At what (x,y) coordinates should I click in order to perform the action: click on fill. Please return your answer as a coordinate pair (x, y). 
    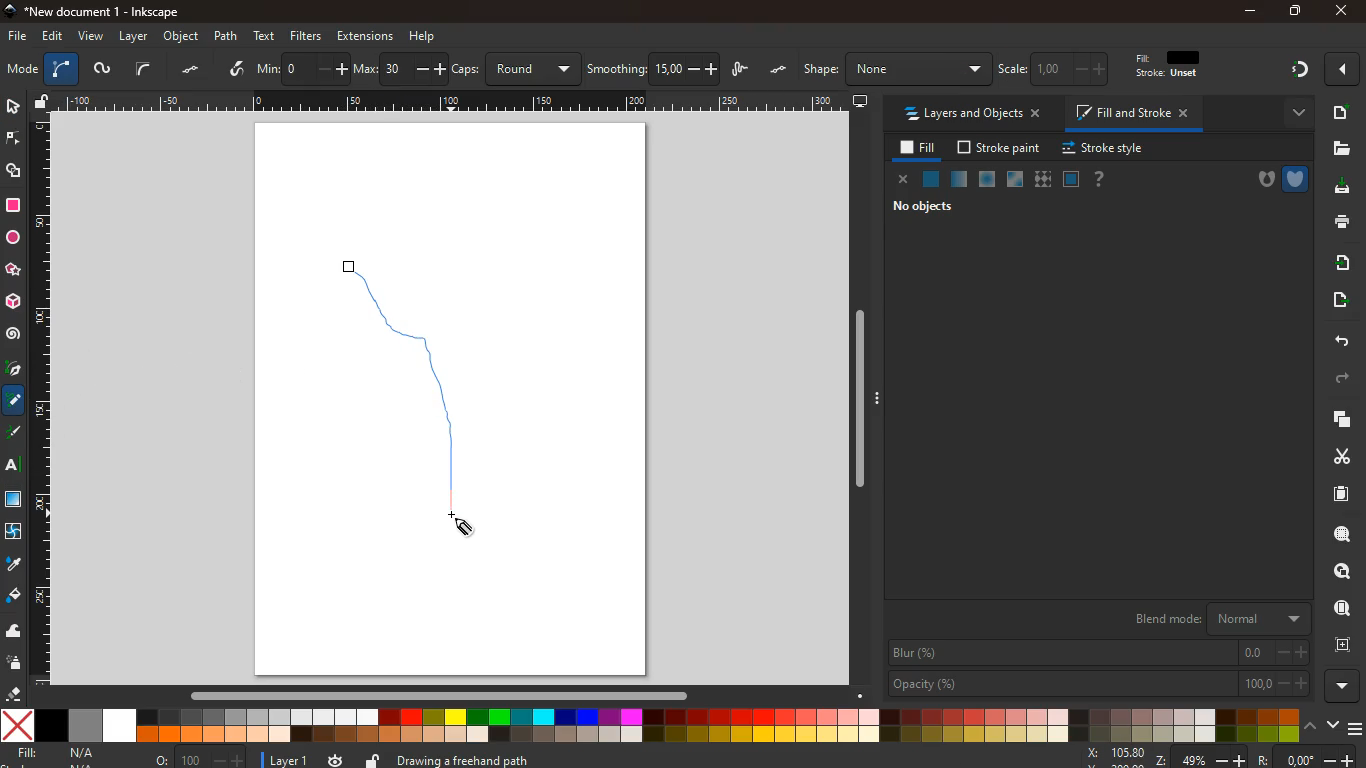
    Looking at the image, I should click on (63, 755).